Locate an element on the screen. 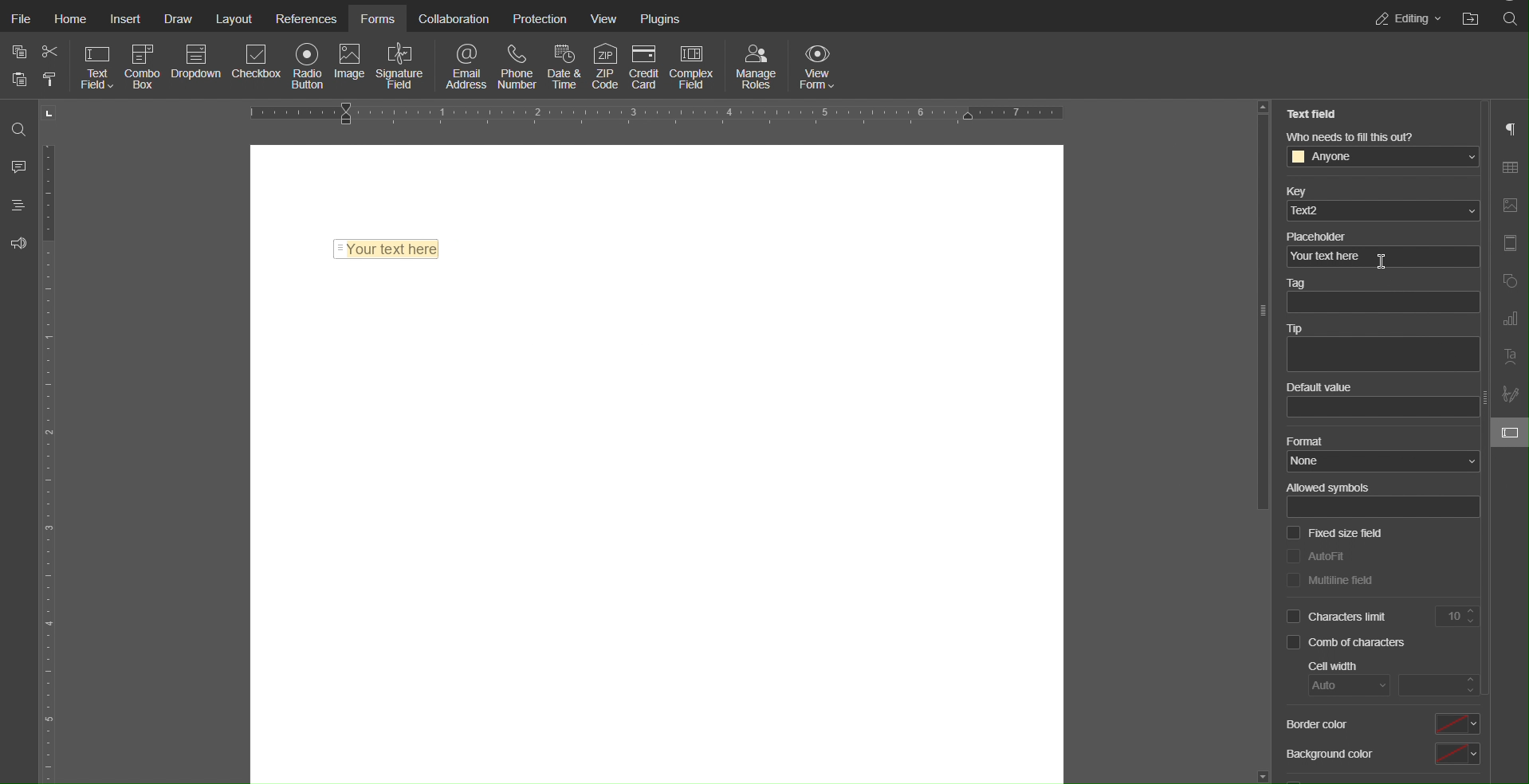 The image size is (1529, 784). Radio Button is located at coordinates (307, 67).